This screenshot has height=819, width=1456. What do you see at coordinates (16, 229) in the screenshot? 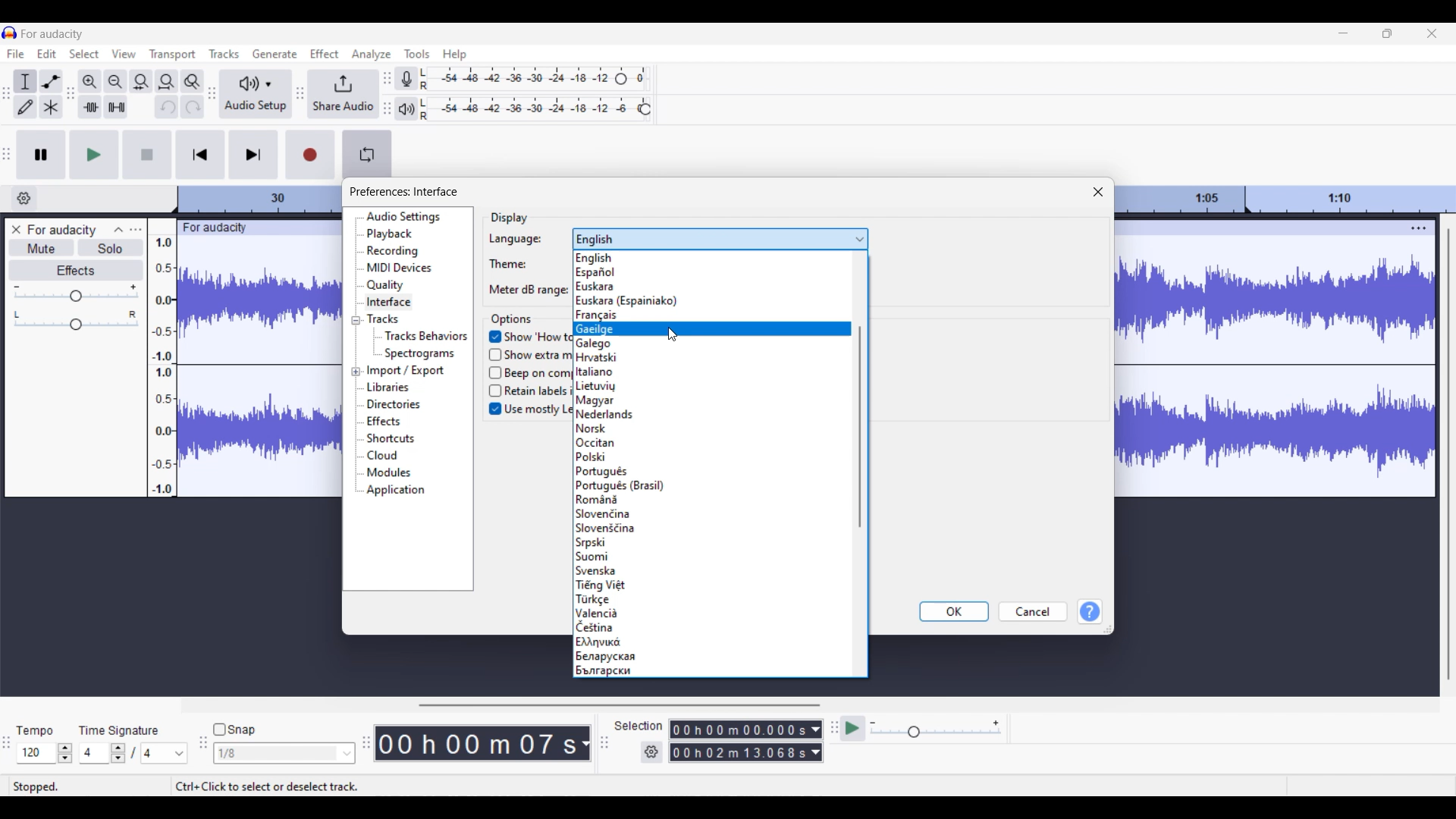
I see `Close track` at bounding box center [16, 229].